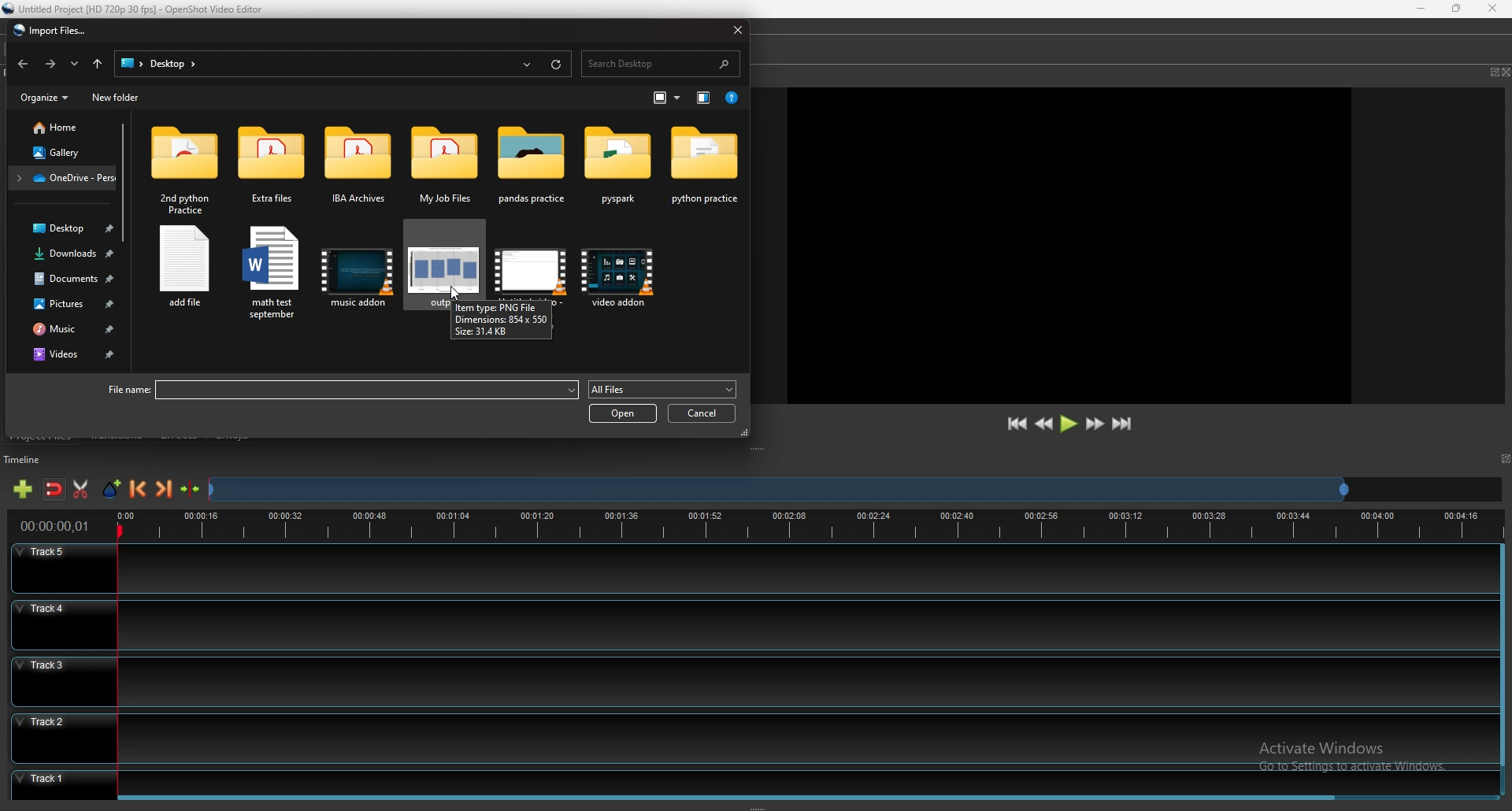  I want to click on folder, so click(444, 165).